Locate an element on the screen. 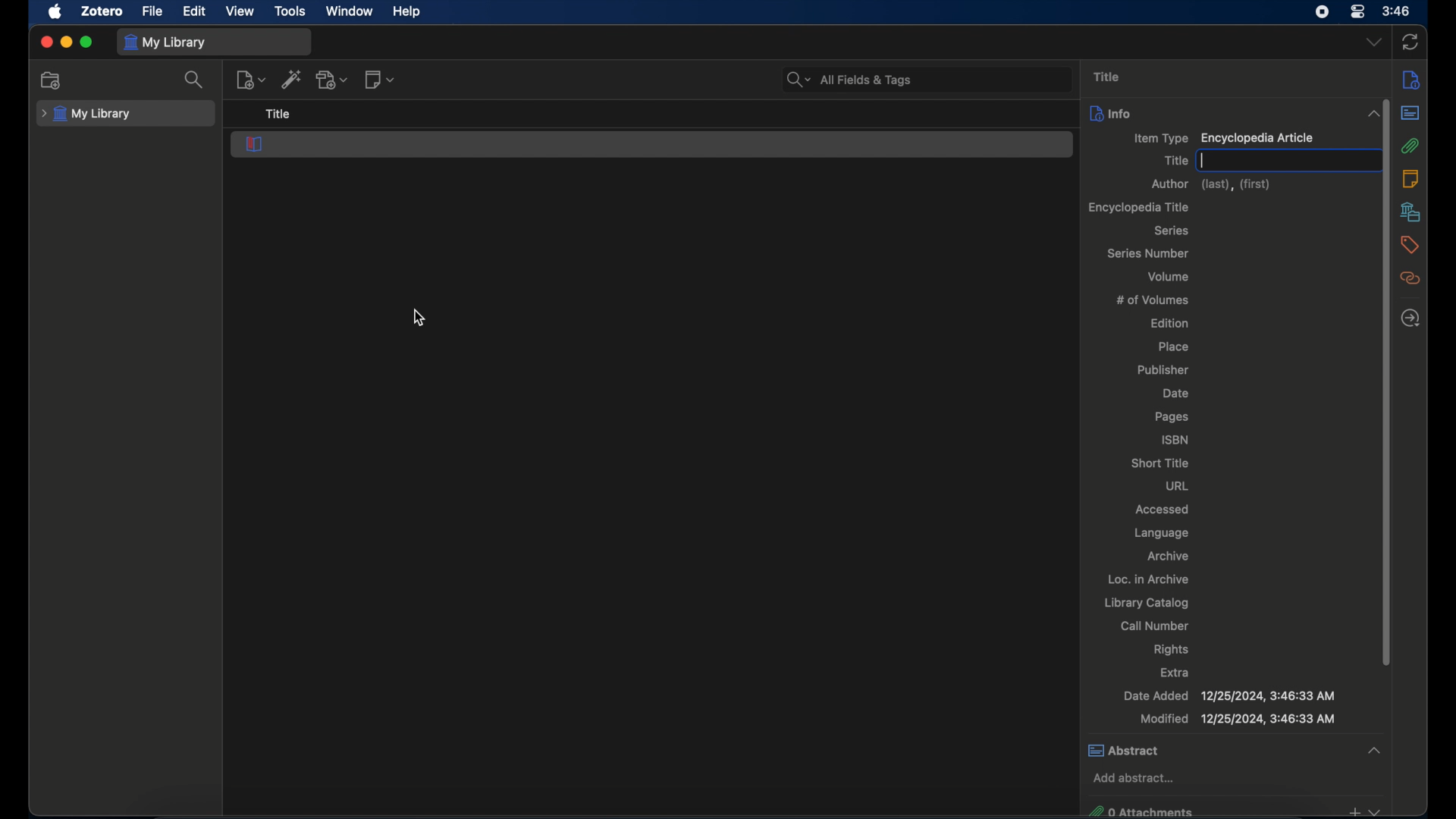 The image size is (1456, 819). encyclopedia title is located at coordinates (1139, 207).